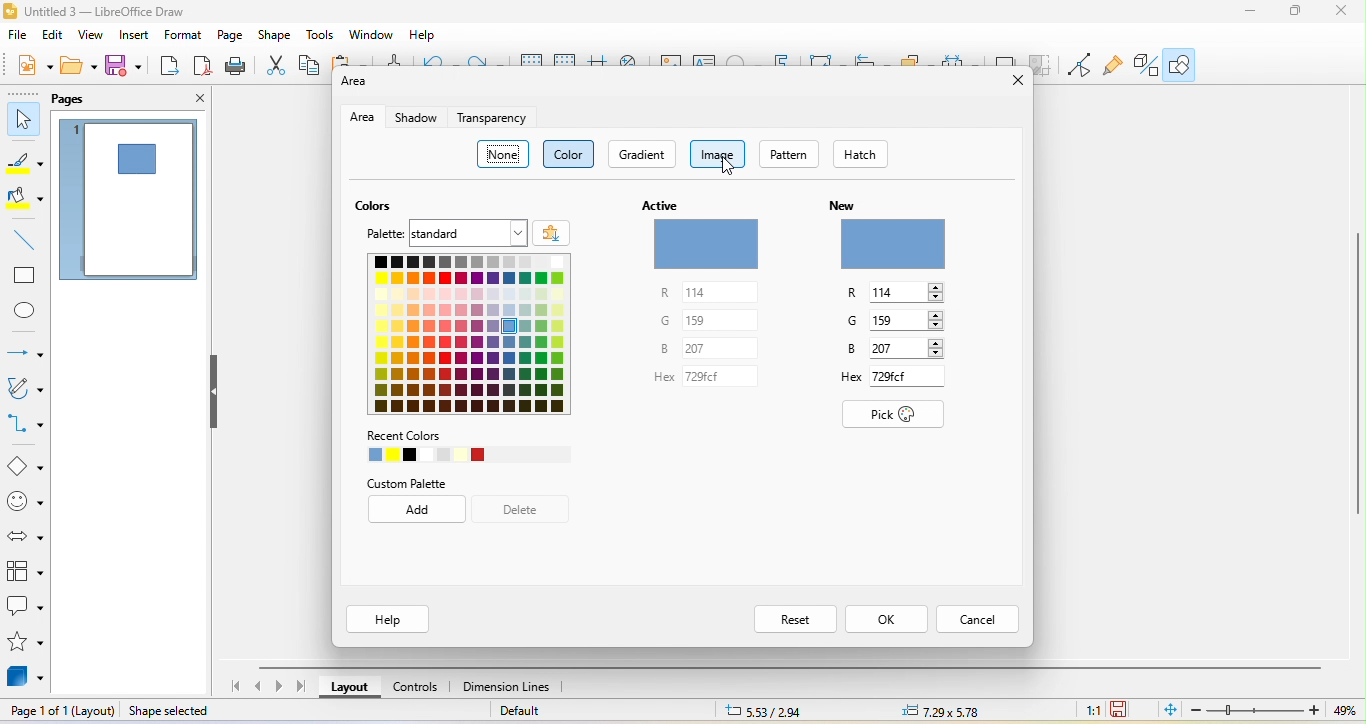 This screenshot has width=1366, height=724. Describe the element at coordinates (349, 688) in the screenshot. I see `layout` at that location.